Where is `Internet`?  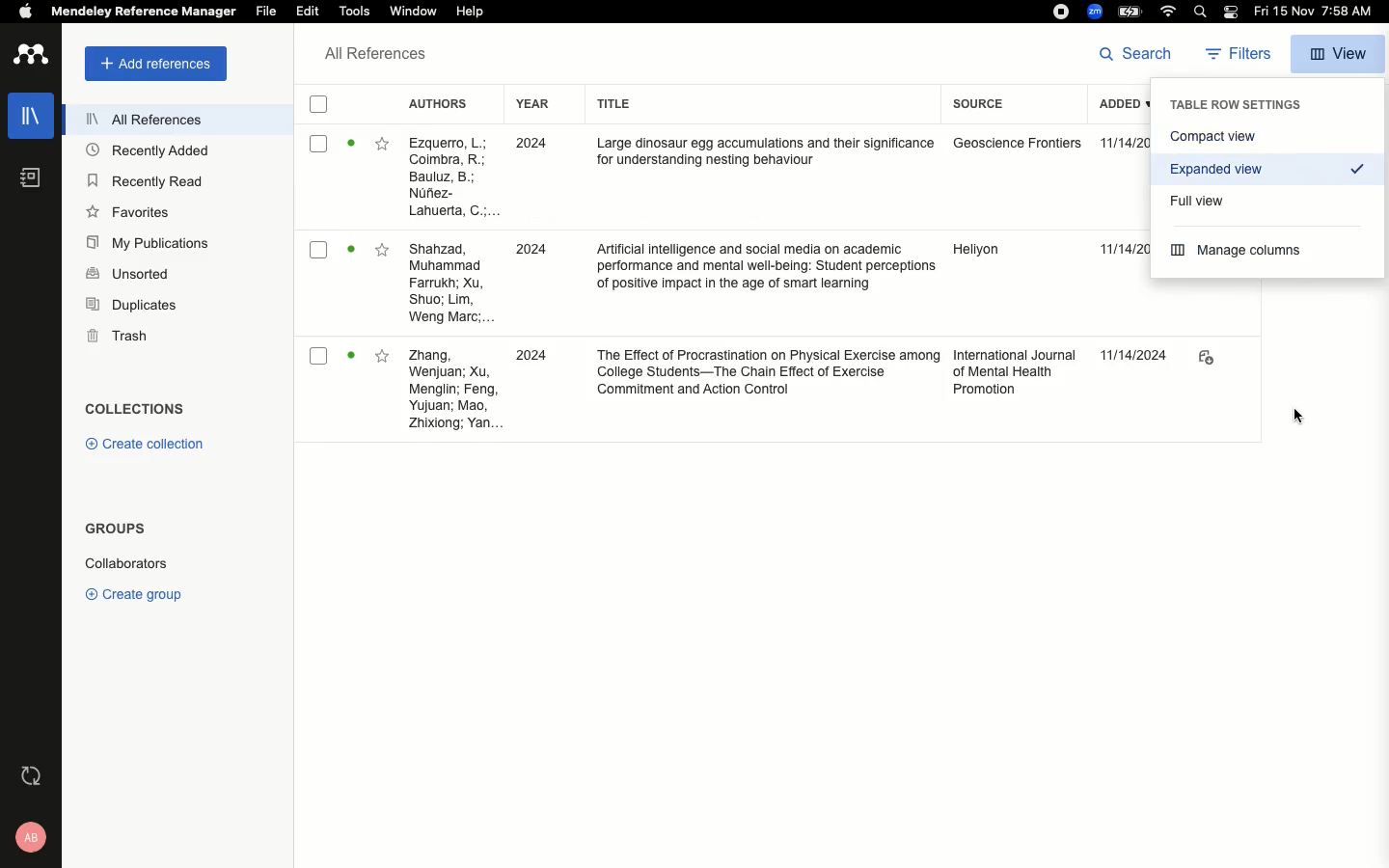 Internet is located at coordinates (1168, 13).